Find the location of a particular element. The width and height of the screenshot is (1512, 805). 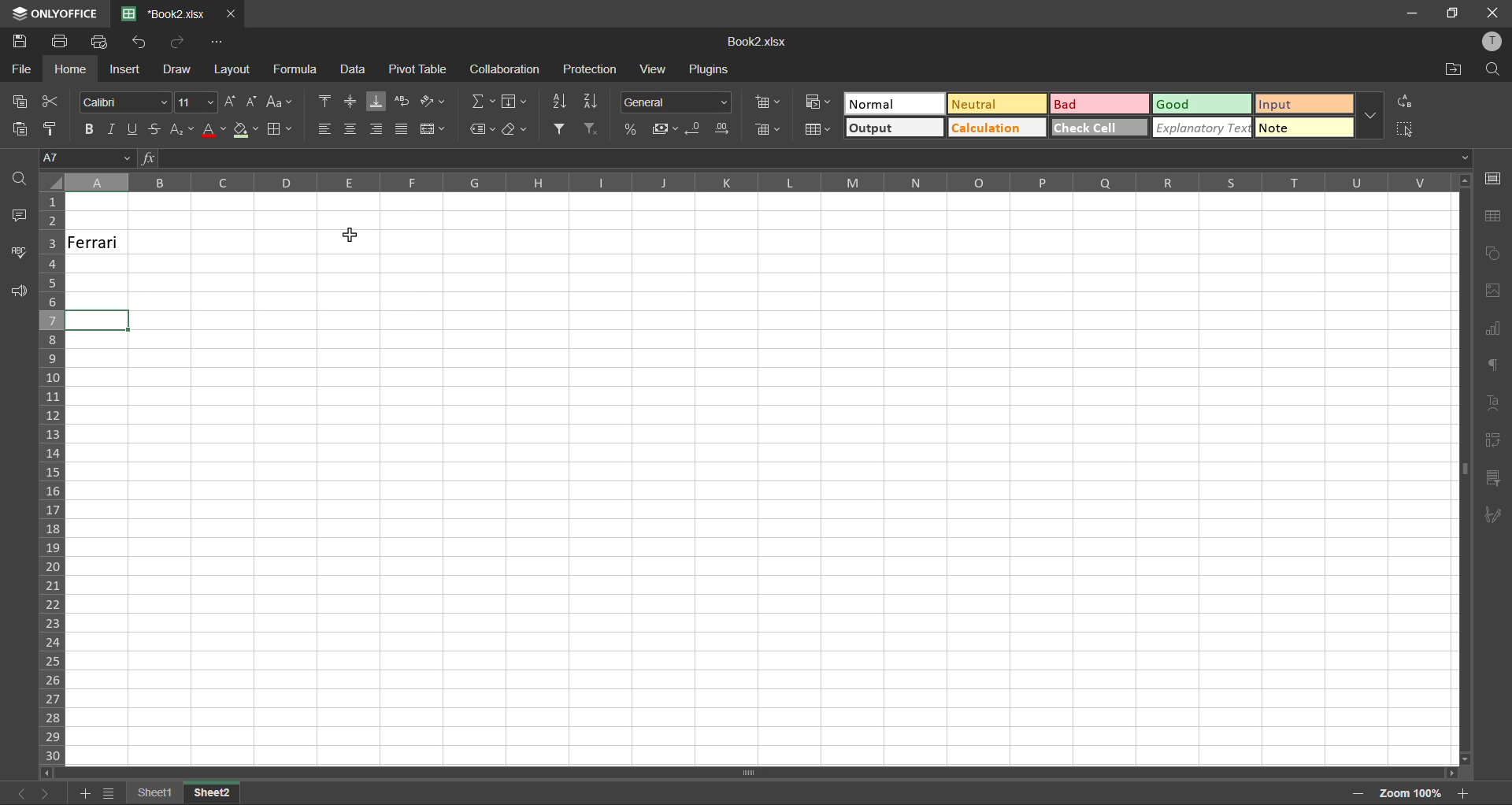

plugins is located at coordinates (709, 69).